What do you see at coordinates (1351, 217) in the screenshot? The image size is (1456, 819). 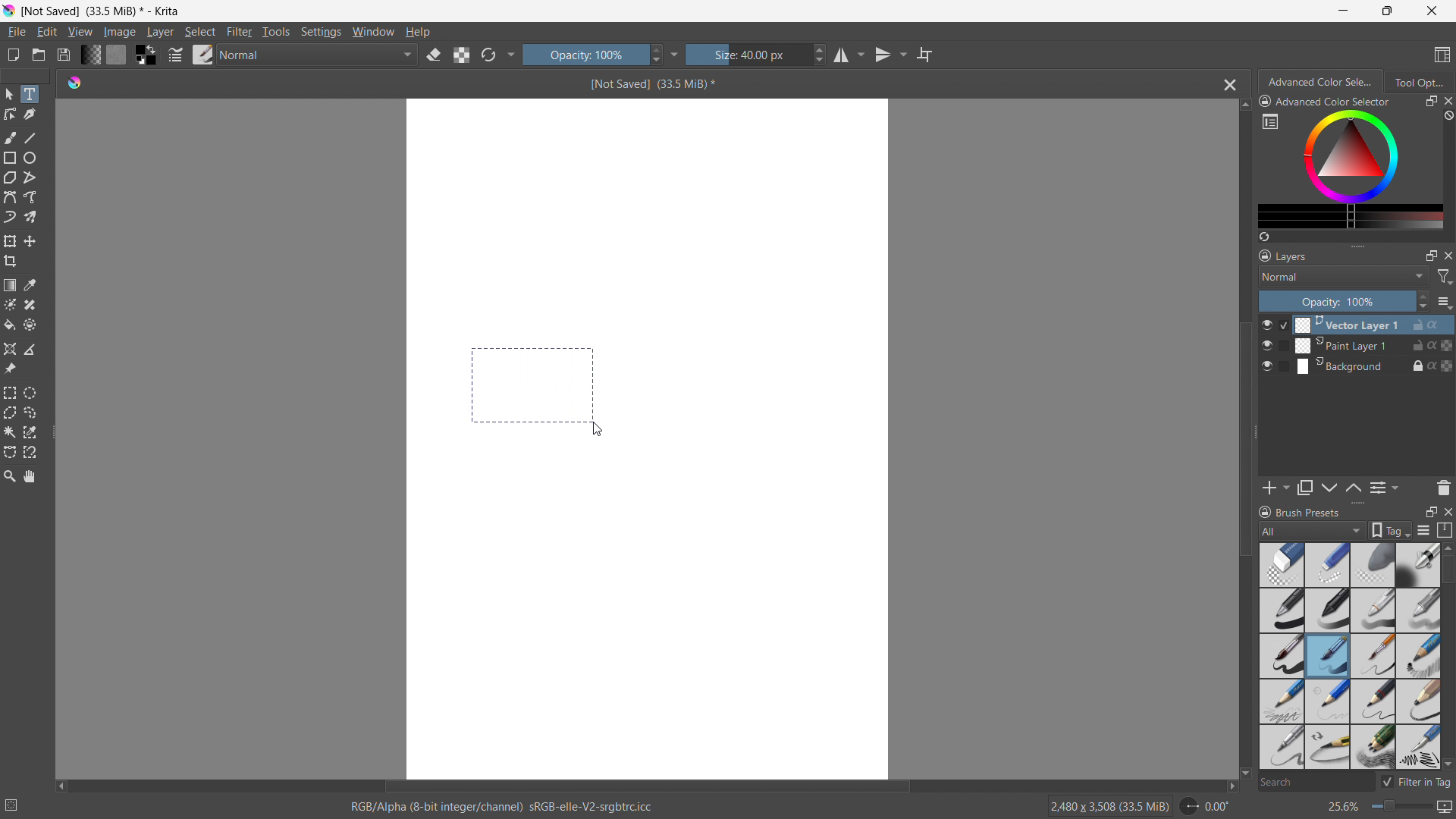 I see `more colors` at bounding box center [1351, 217].